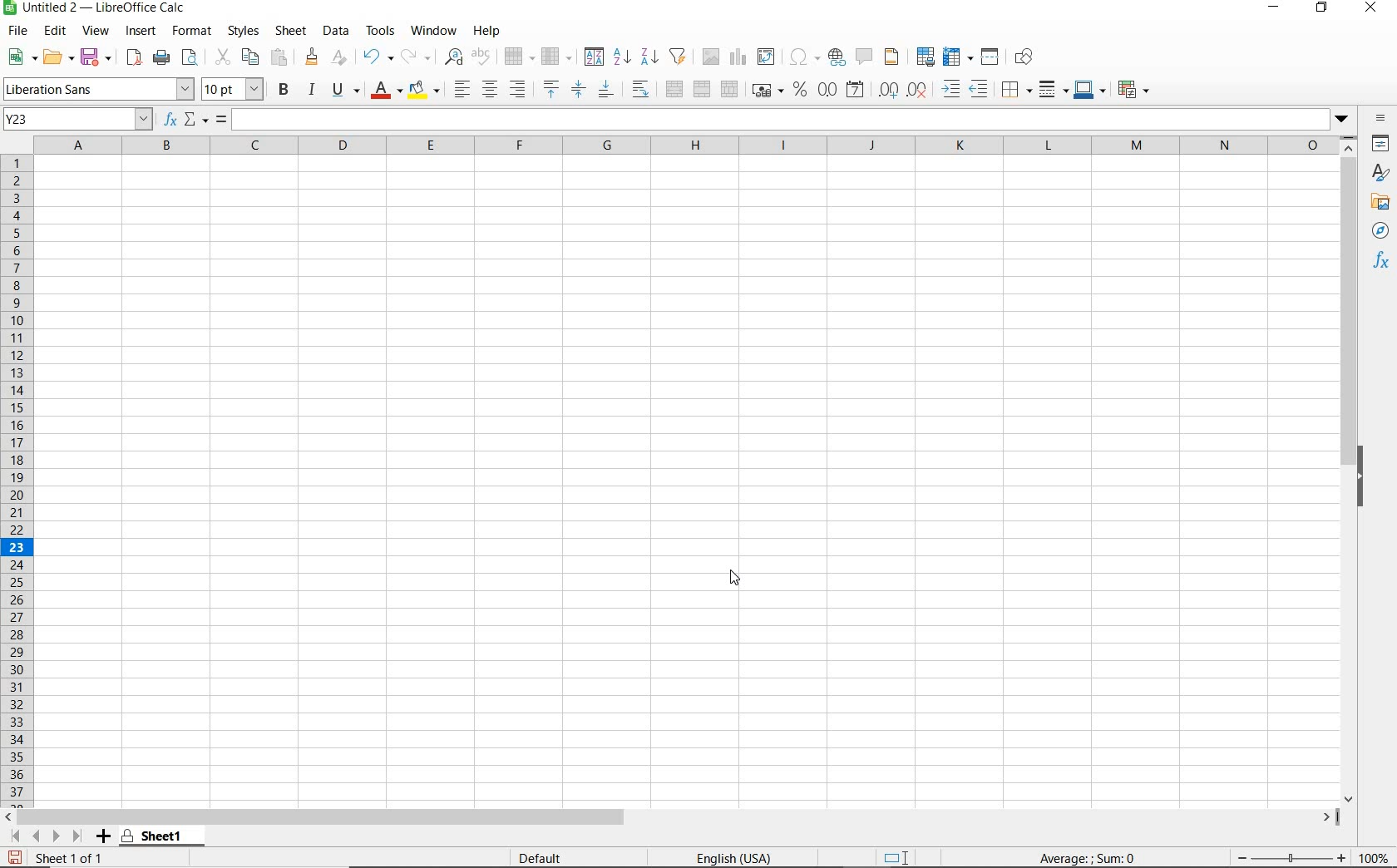 Image resolution: width=1397 pixels, height=868 pixels. I want to click on ALIGN LEFT, so click(462, 89).